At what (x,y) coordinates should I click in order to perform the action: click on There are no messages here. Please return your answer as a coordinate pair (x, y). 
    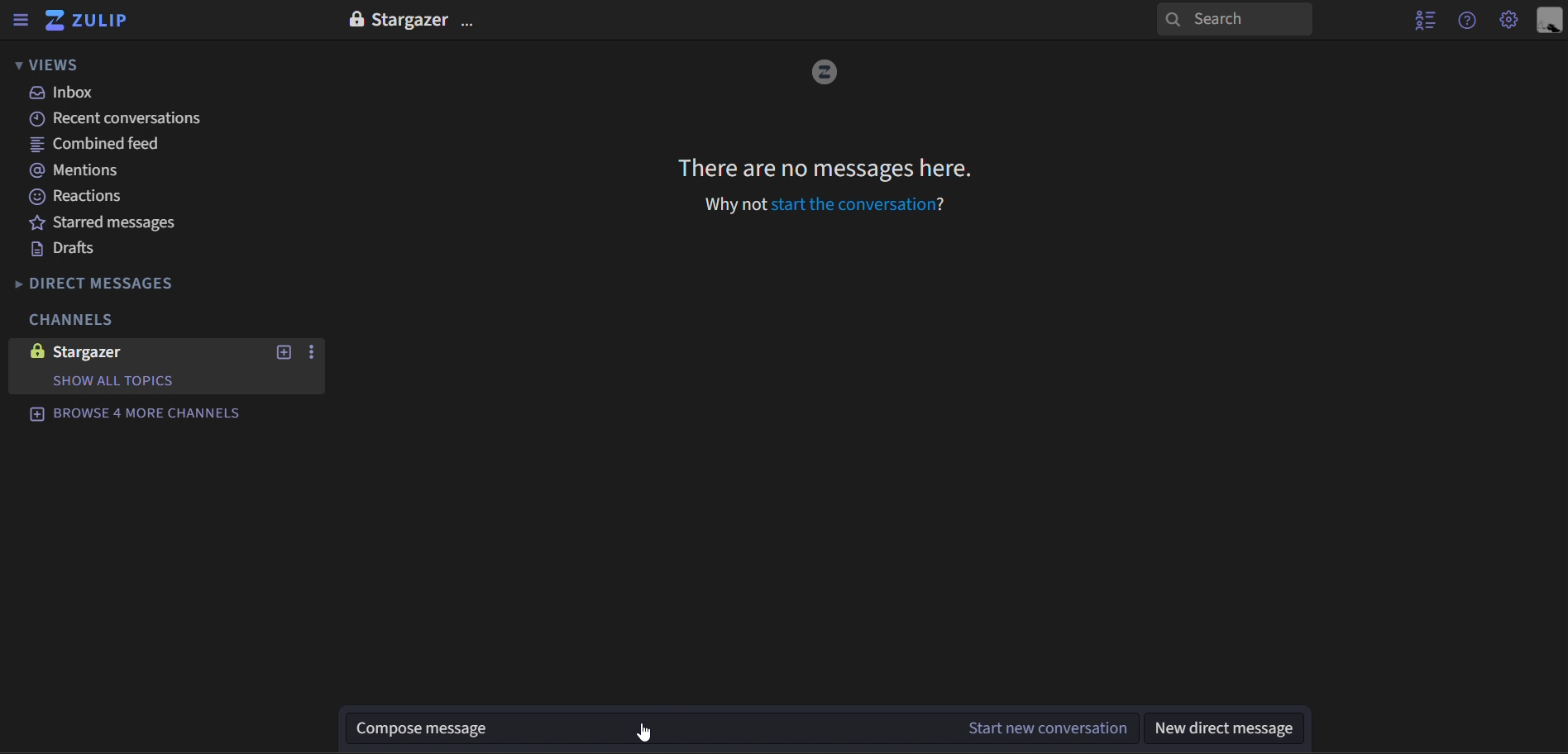
    Looking at the image, I should click on (829, 171).